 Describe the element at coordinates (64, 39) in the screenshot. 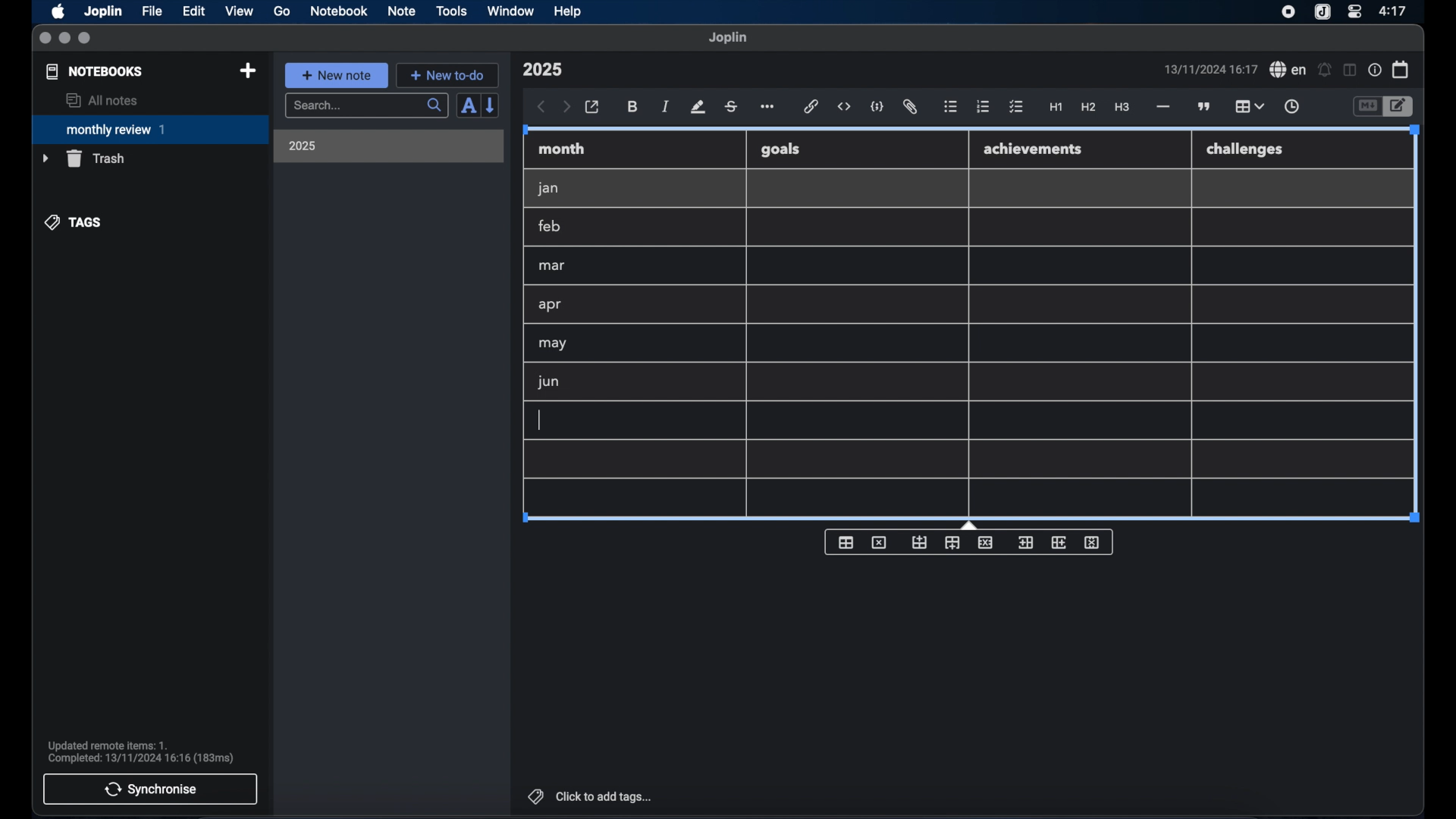

I see `minimize` at that location.